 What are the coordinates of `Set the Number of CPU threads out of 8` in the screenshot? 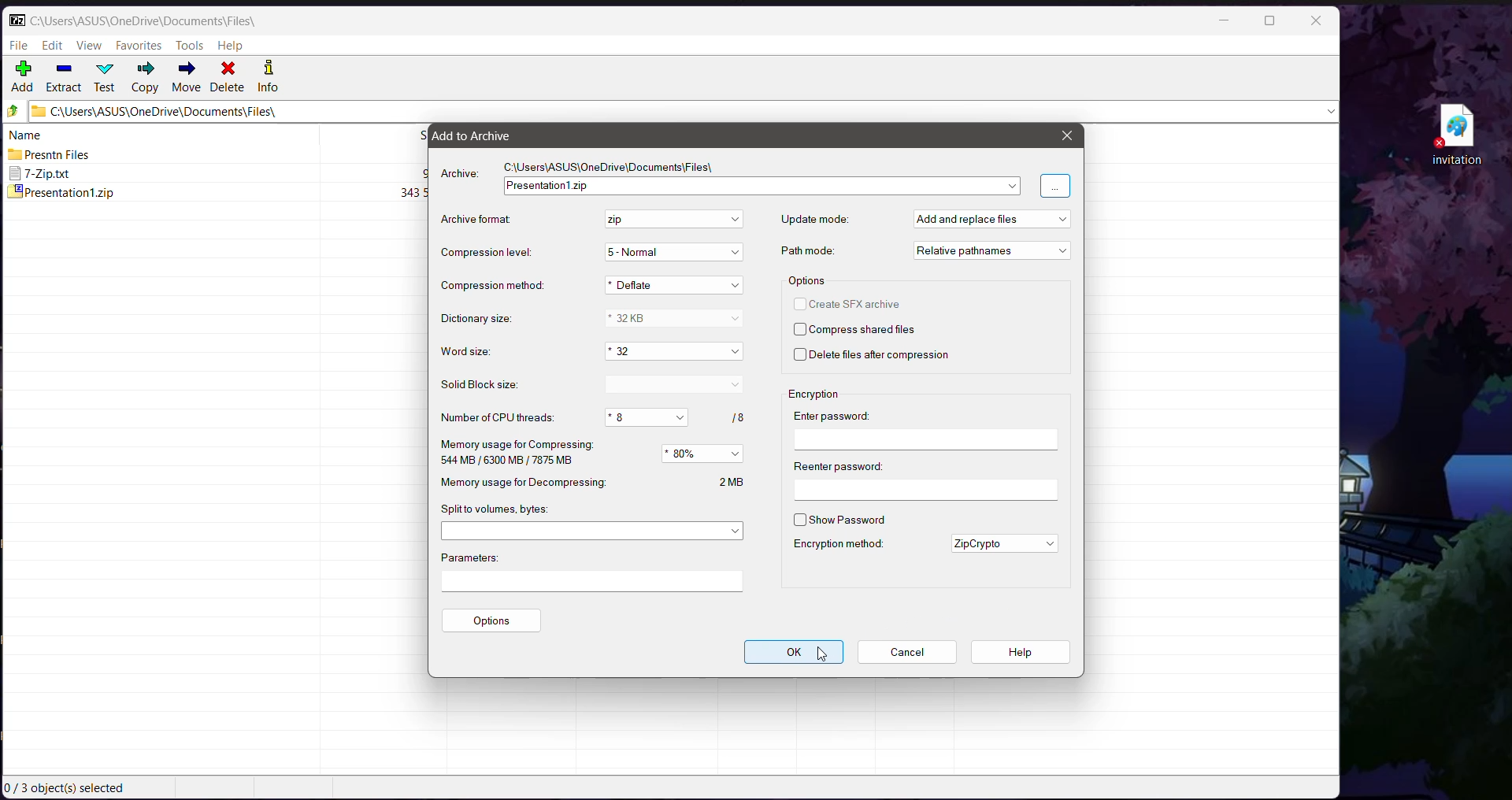 It's located at (674, 417).